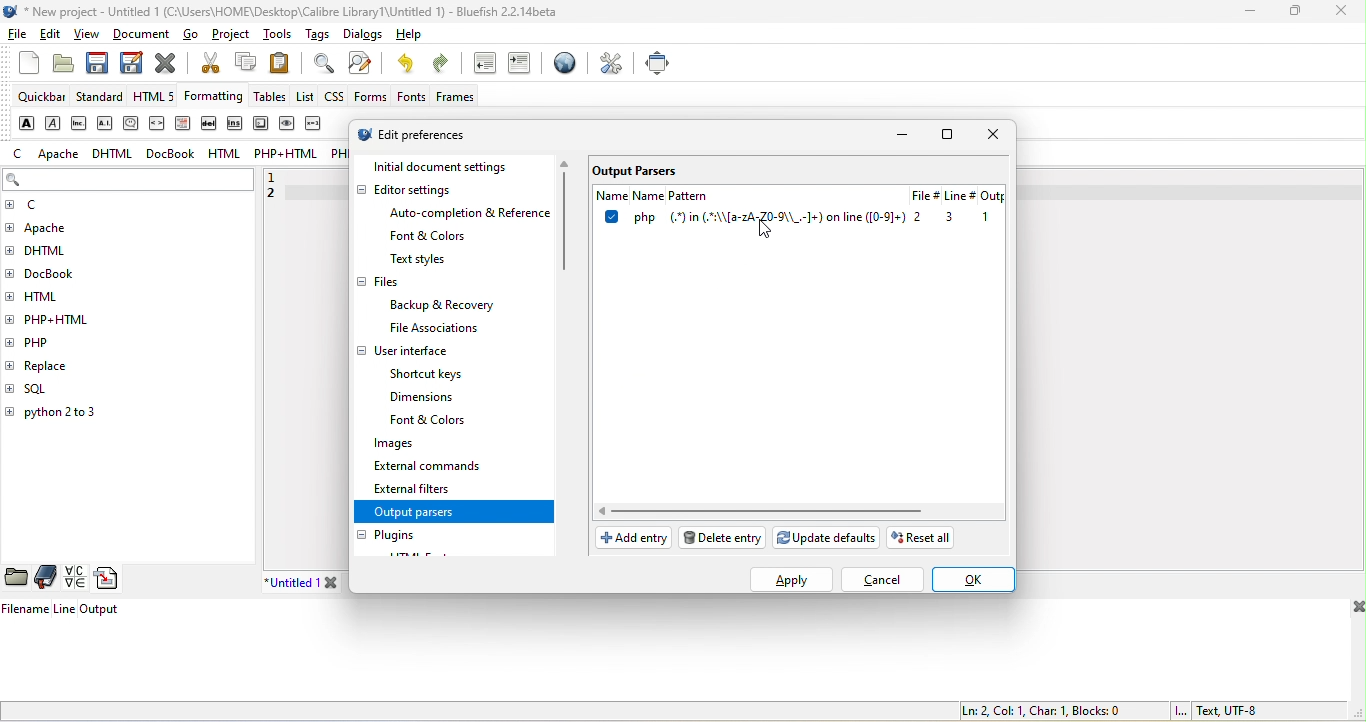 The height and width of the screenshot is (722, 1366). I want to click on close, so click(1355, 609).